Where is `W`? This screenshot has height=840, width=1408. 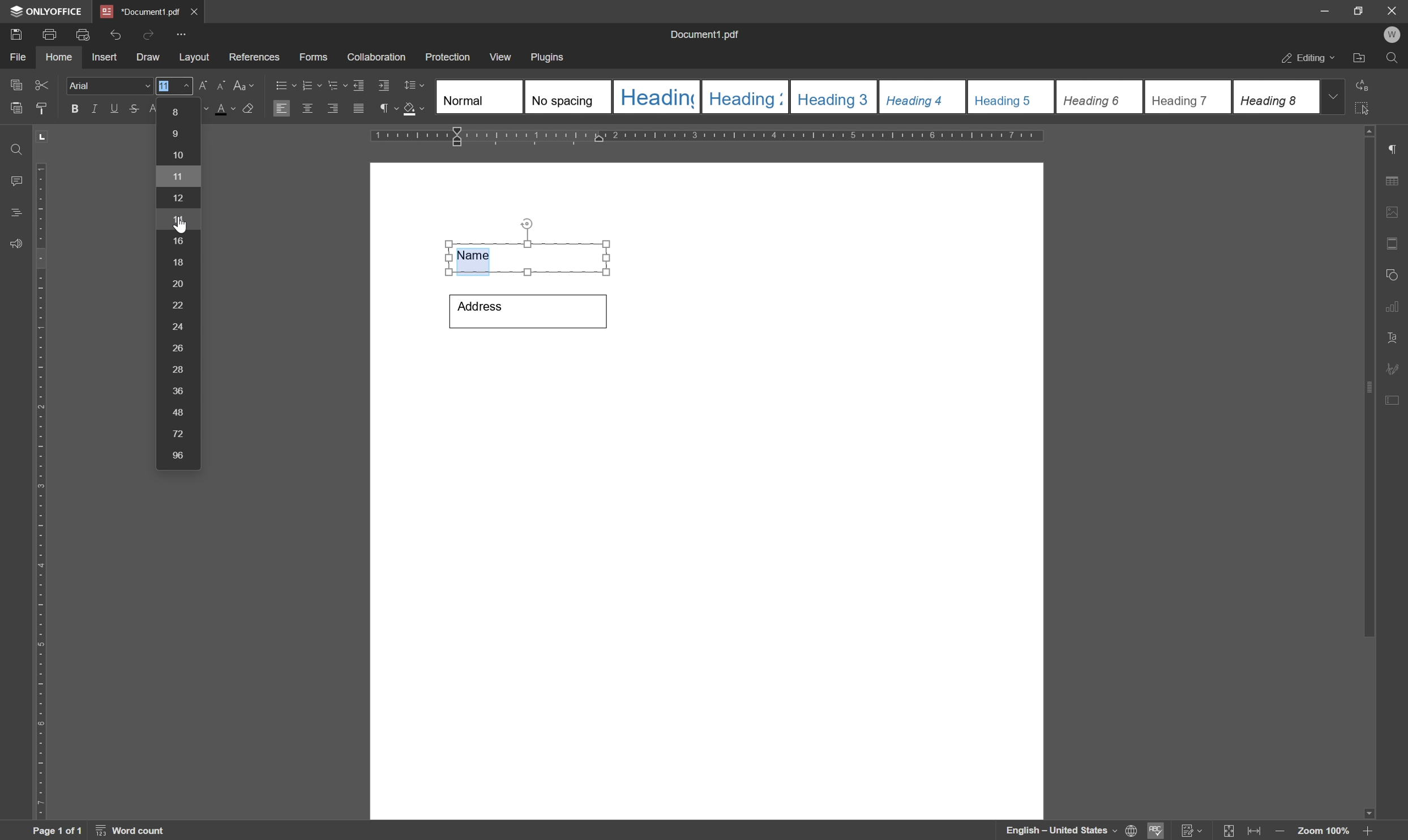 W is located at coordinates (1394, 35).